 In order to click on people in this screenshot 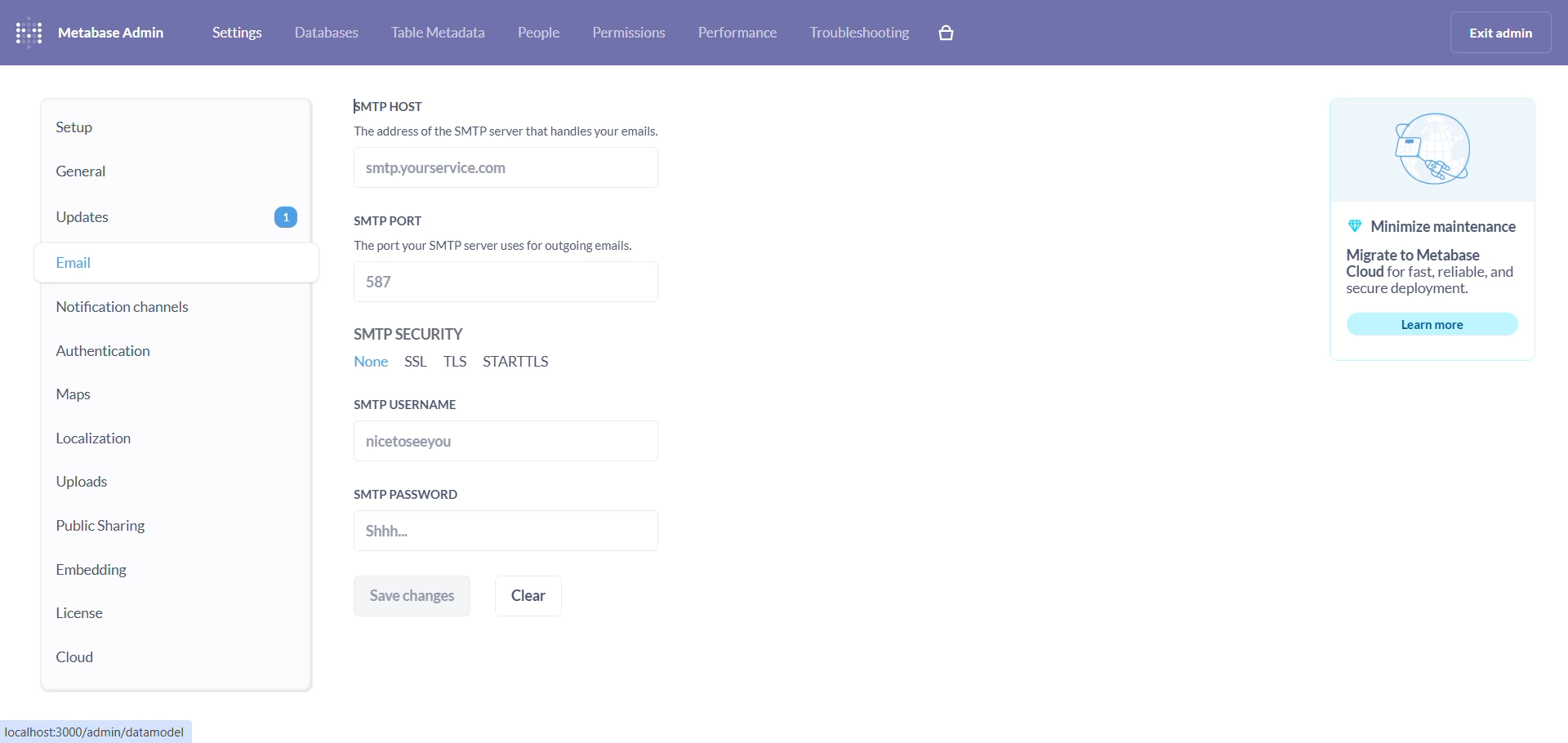, I will do `click(545, 33)`.